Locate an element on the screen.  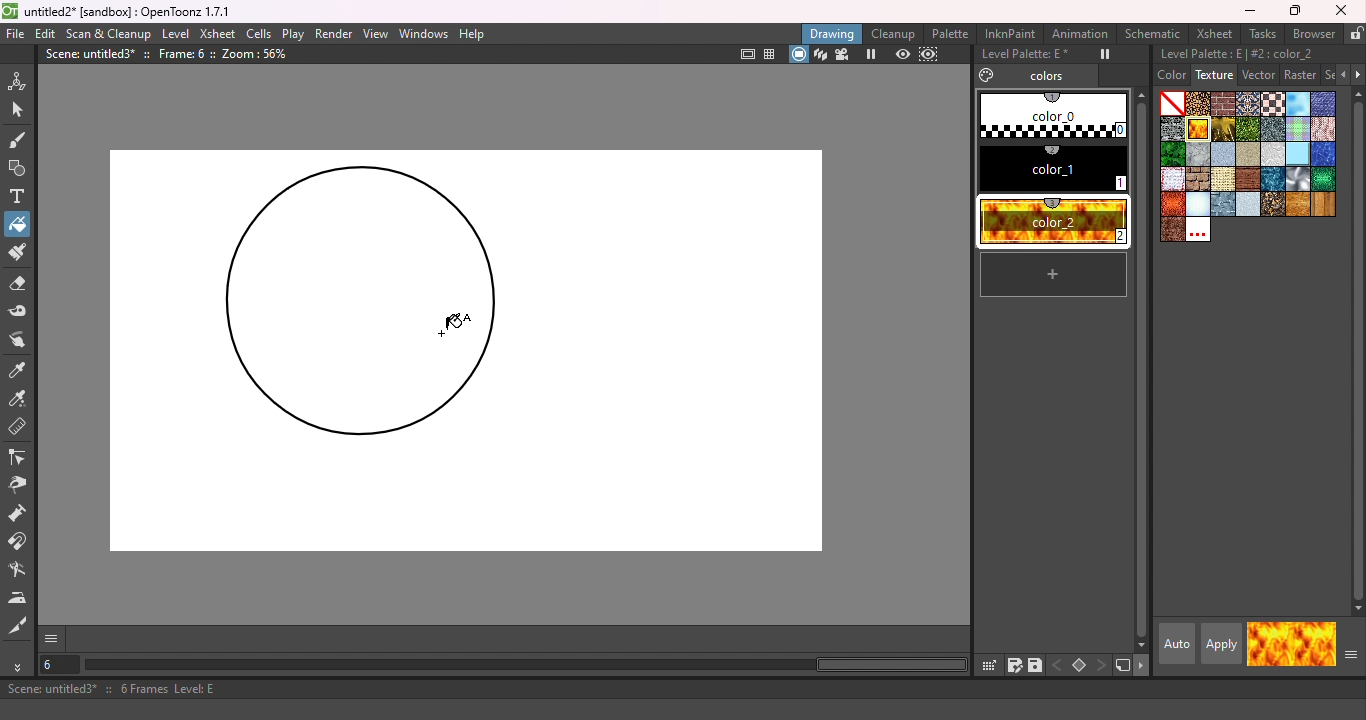
Cutter tool is located at coordinates (18, 627).